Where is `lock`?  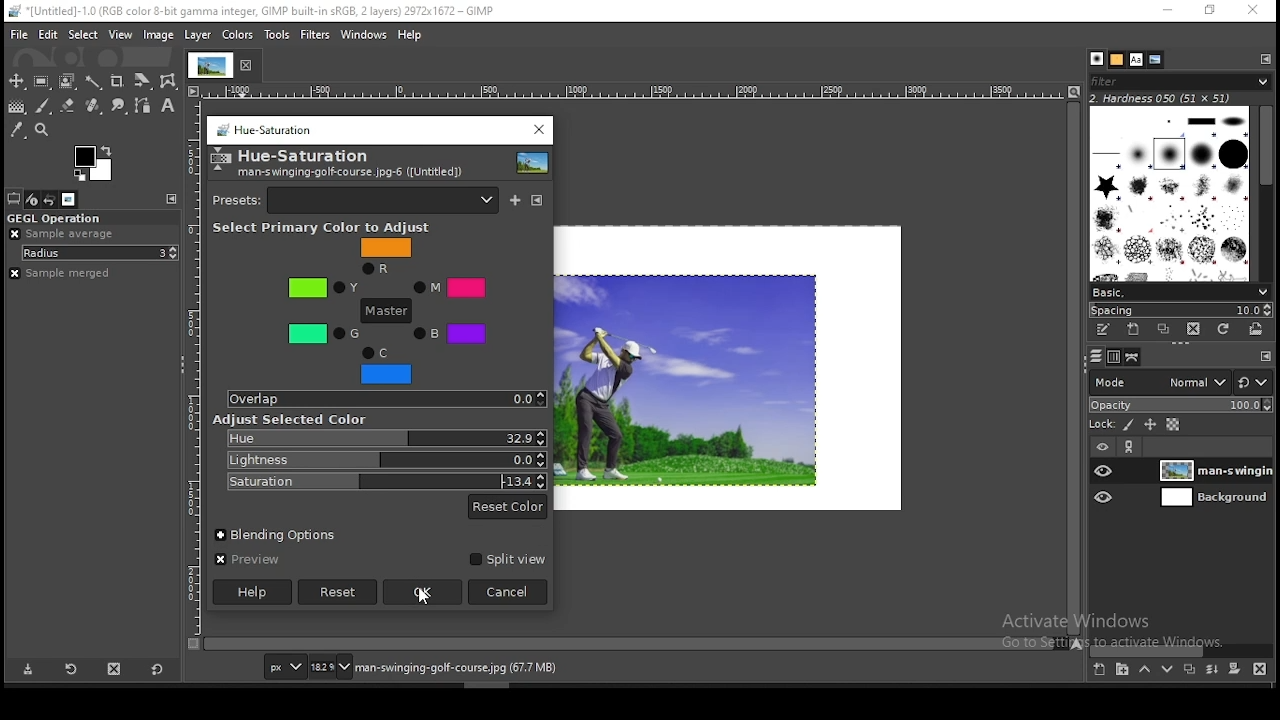
lock is located at coordinates (1103, 425).